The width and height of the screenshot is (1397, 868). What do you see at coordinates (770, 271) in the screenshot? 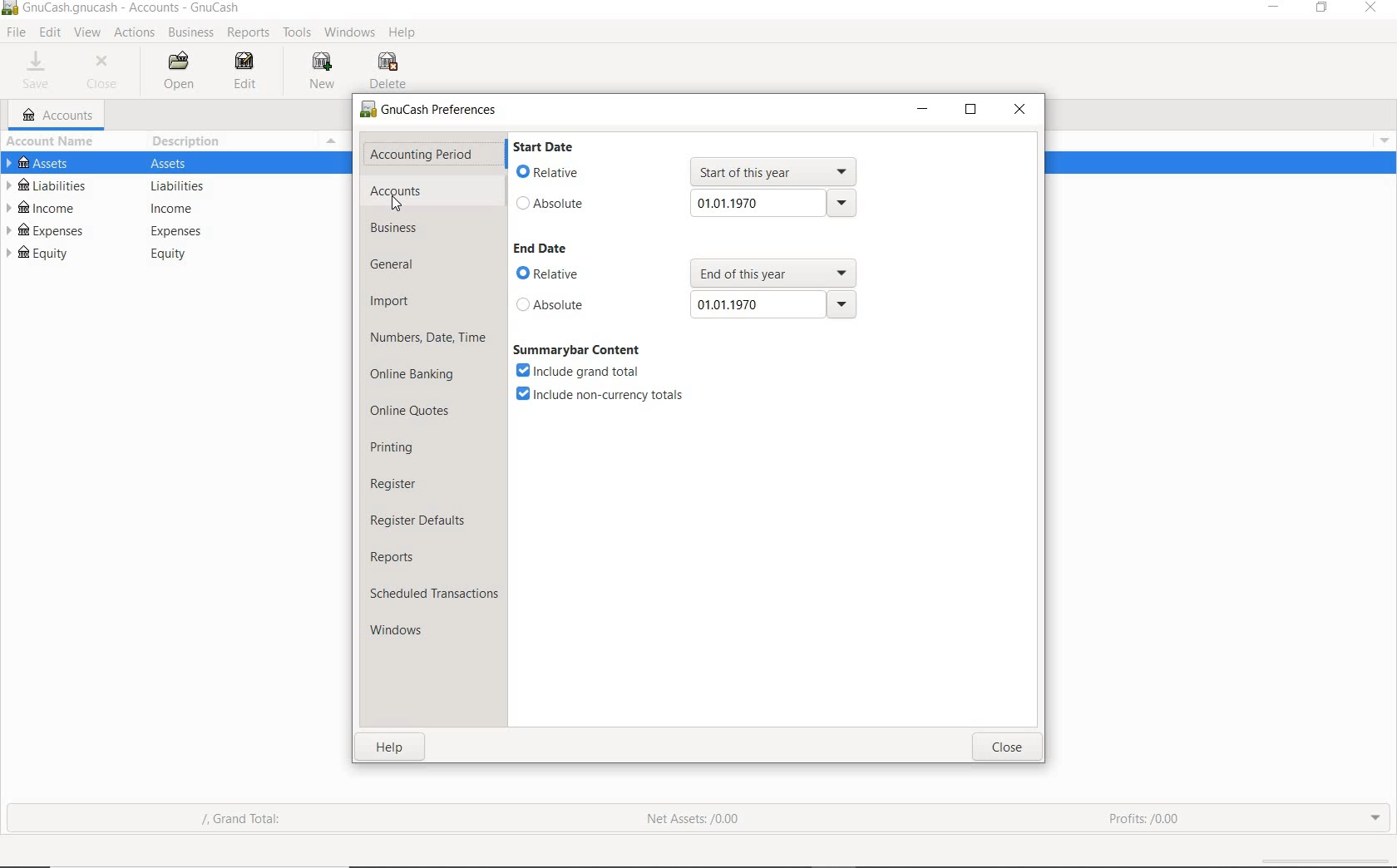
I see `` at bounding box center [770, 271].